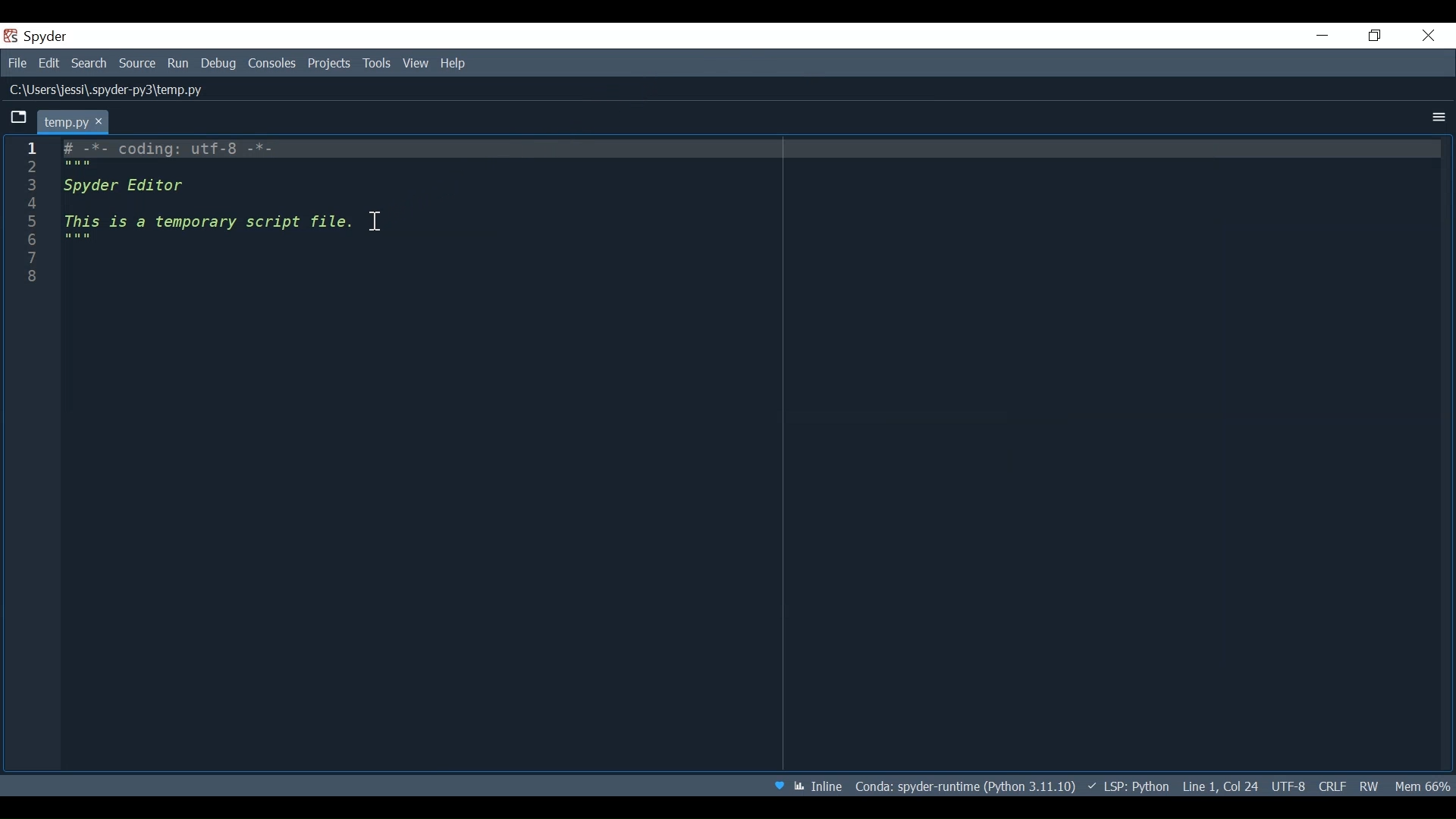 The height and width of the screenshot is (819, 1456). Describe the element at coordinates (329, 64) in the screenshot. I see `Projects` at that location.